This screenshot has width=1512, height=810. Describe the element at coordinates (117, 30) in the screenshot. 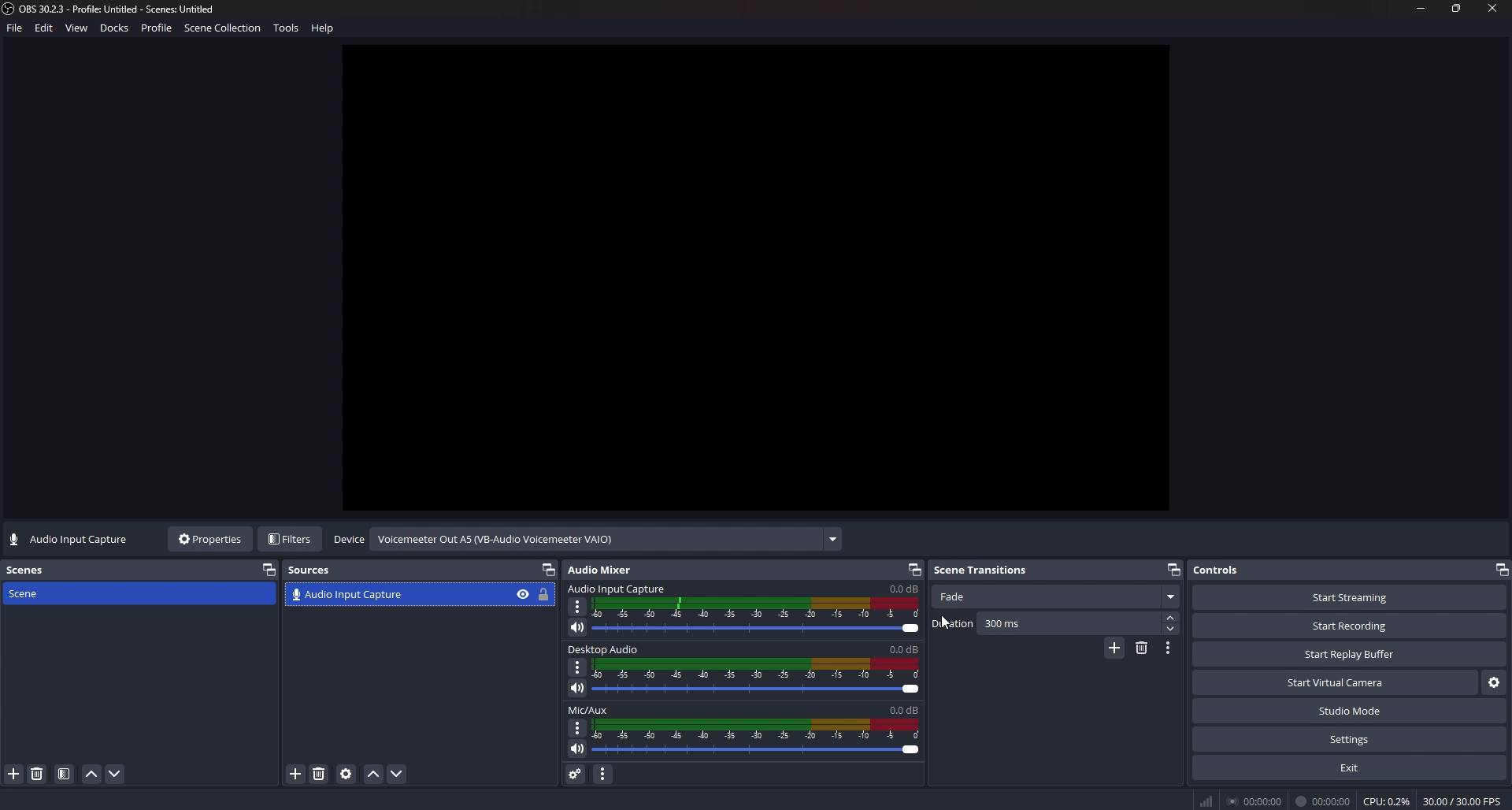

I see `Docks` at that location.